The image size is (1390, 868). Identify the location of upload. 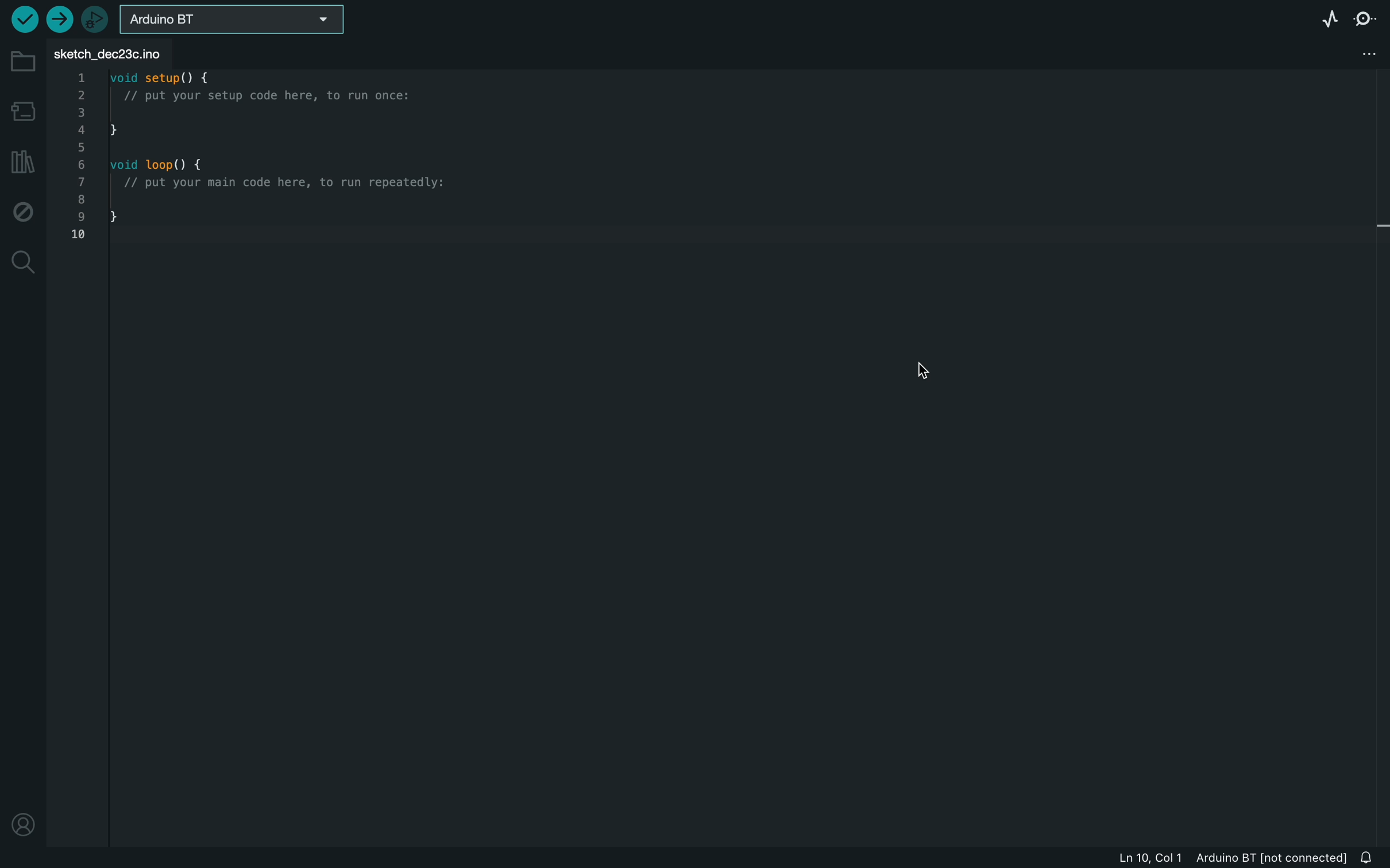
(60, 20).